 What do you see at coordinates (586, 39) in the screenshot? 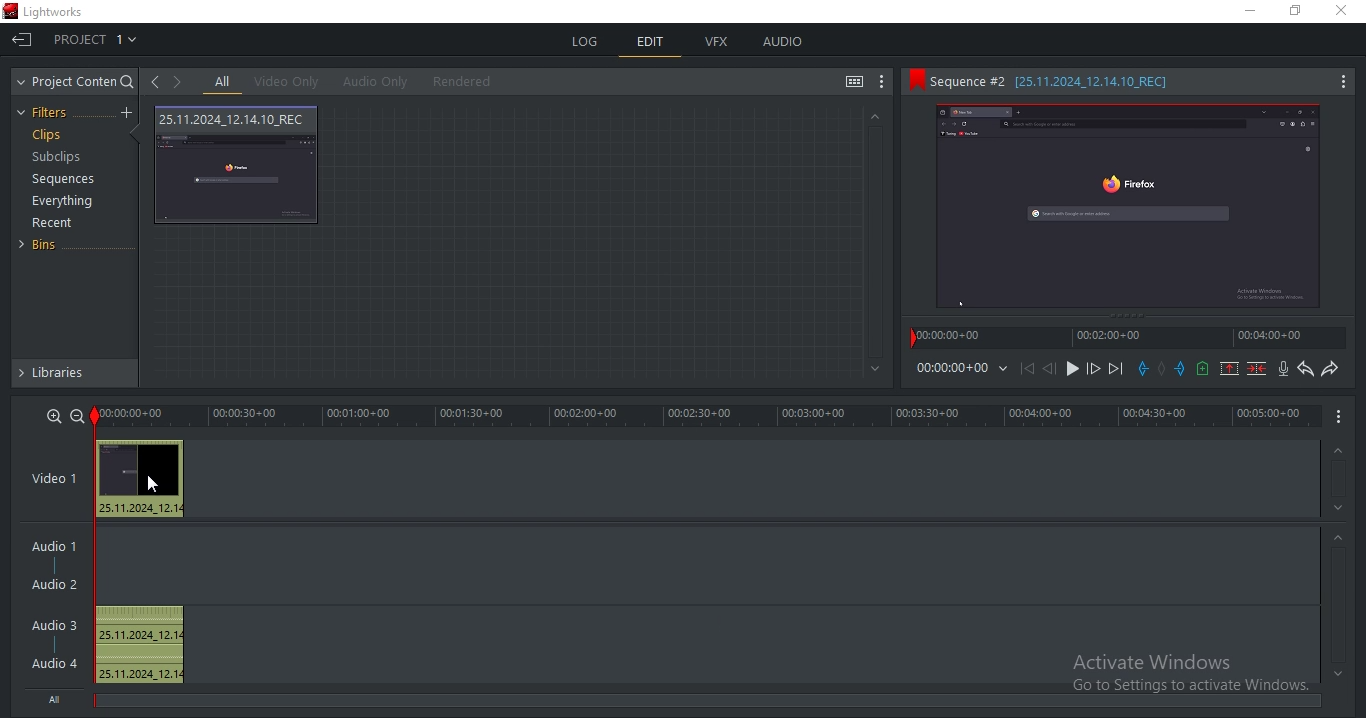
I see `log` at bounding box center [586, 39].